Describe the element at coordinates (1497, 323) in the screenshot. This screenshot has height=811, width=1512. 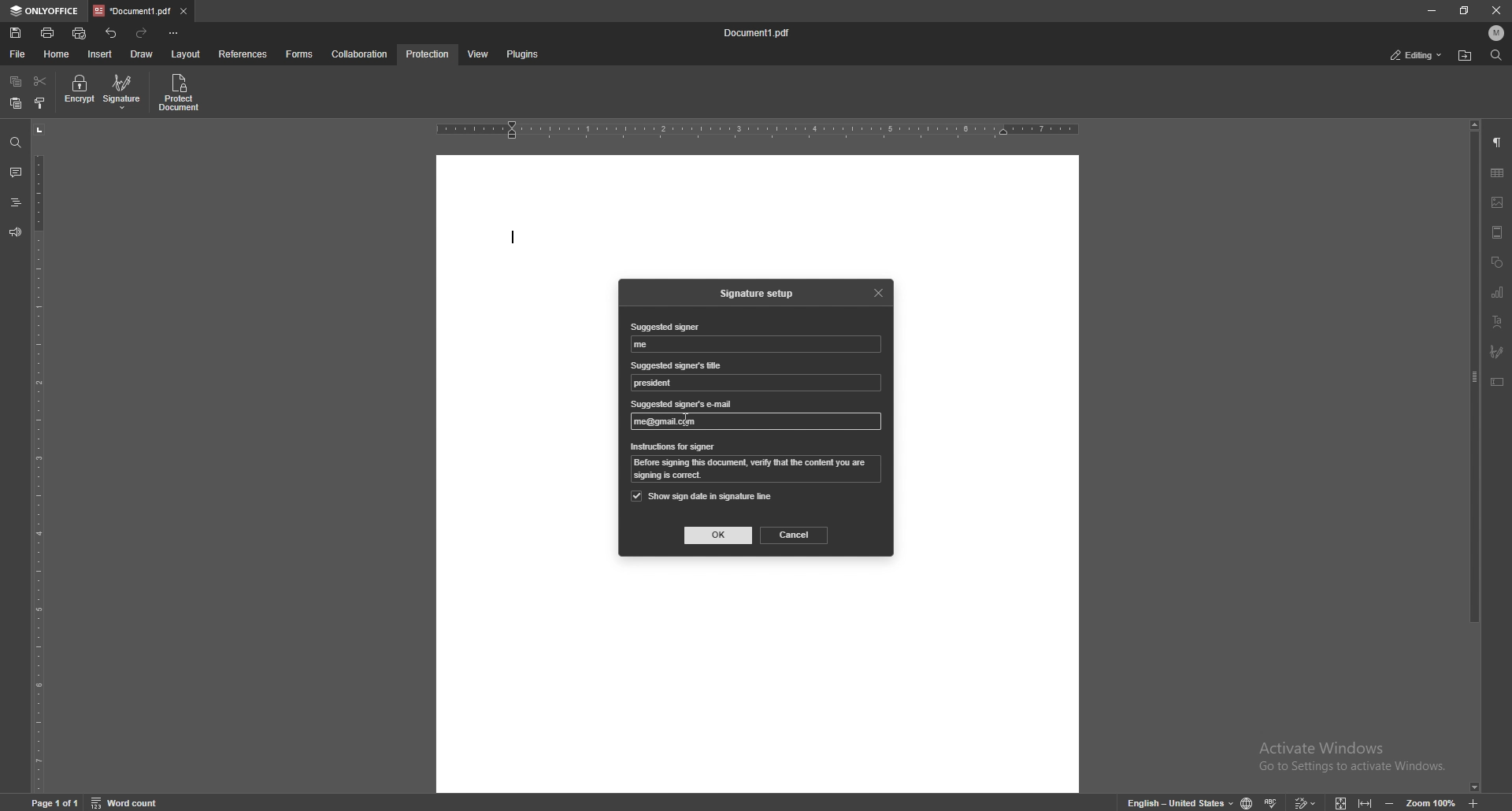
I see `text art` at that location.